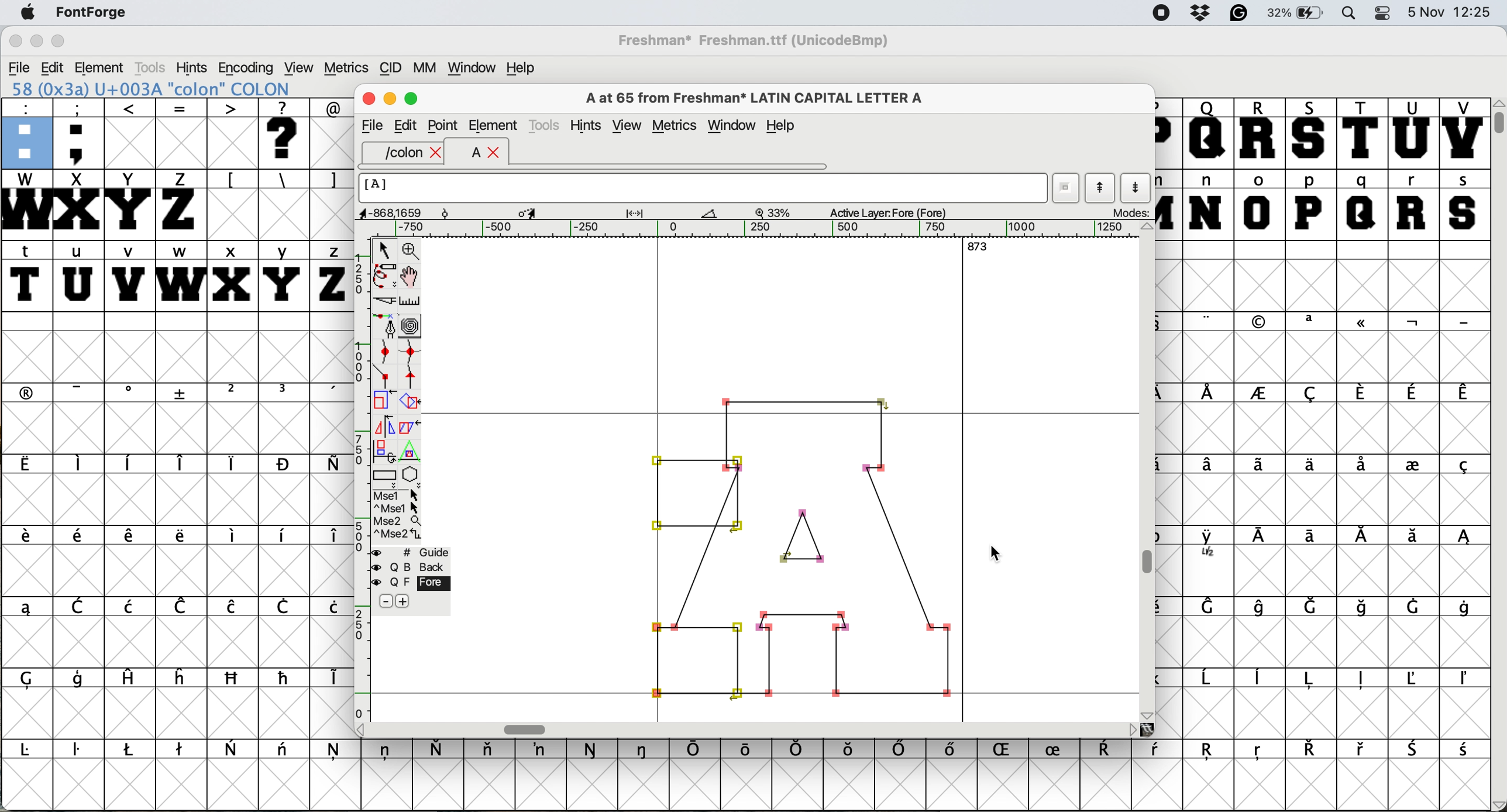  Describe the element at coordinates (1210, 545) in the screenshot. I see `symbol` at that location.